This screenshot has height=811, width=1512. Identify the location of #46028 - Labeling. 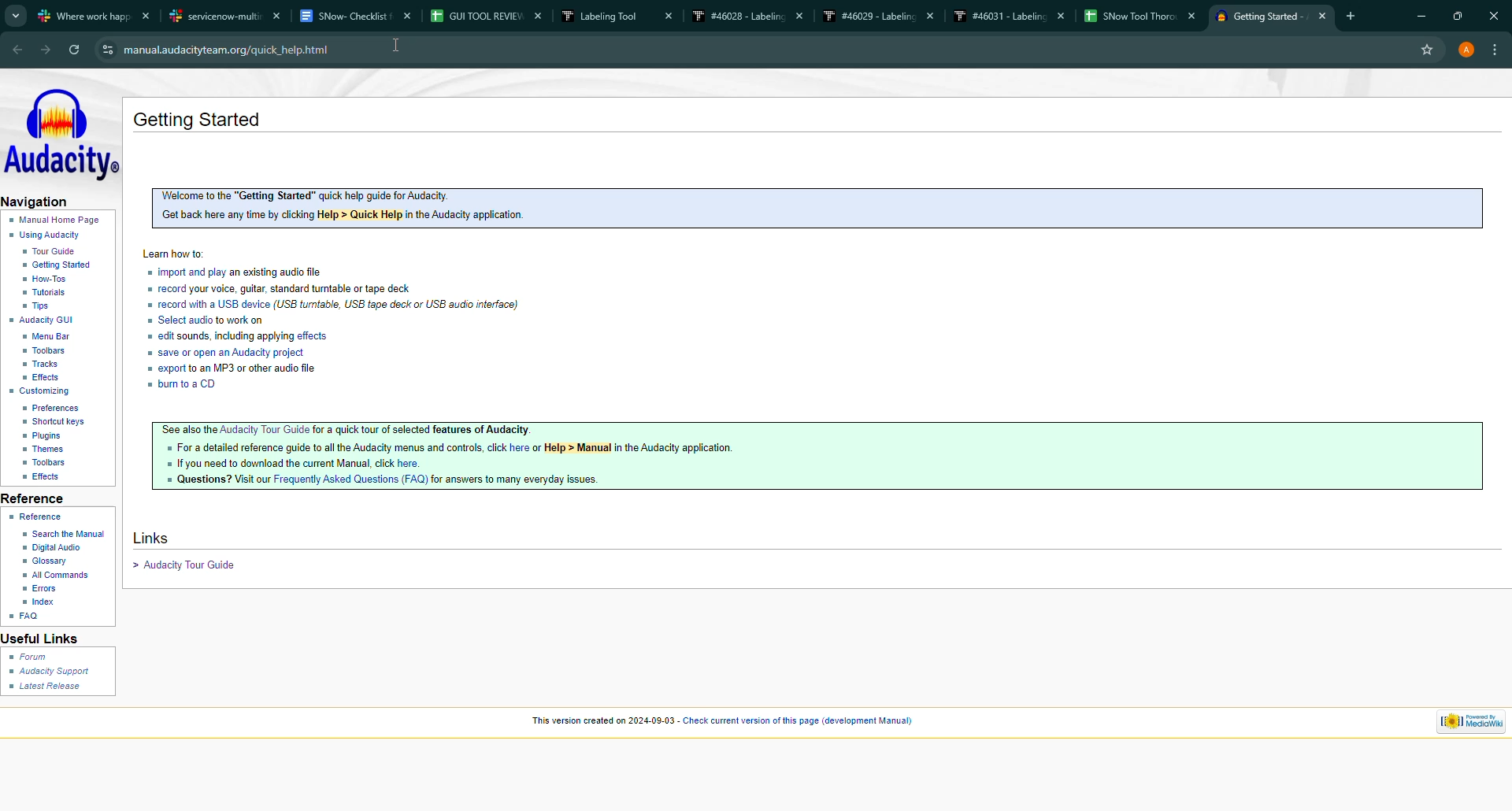
(748, 17).